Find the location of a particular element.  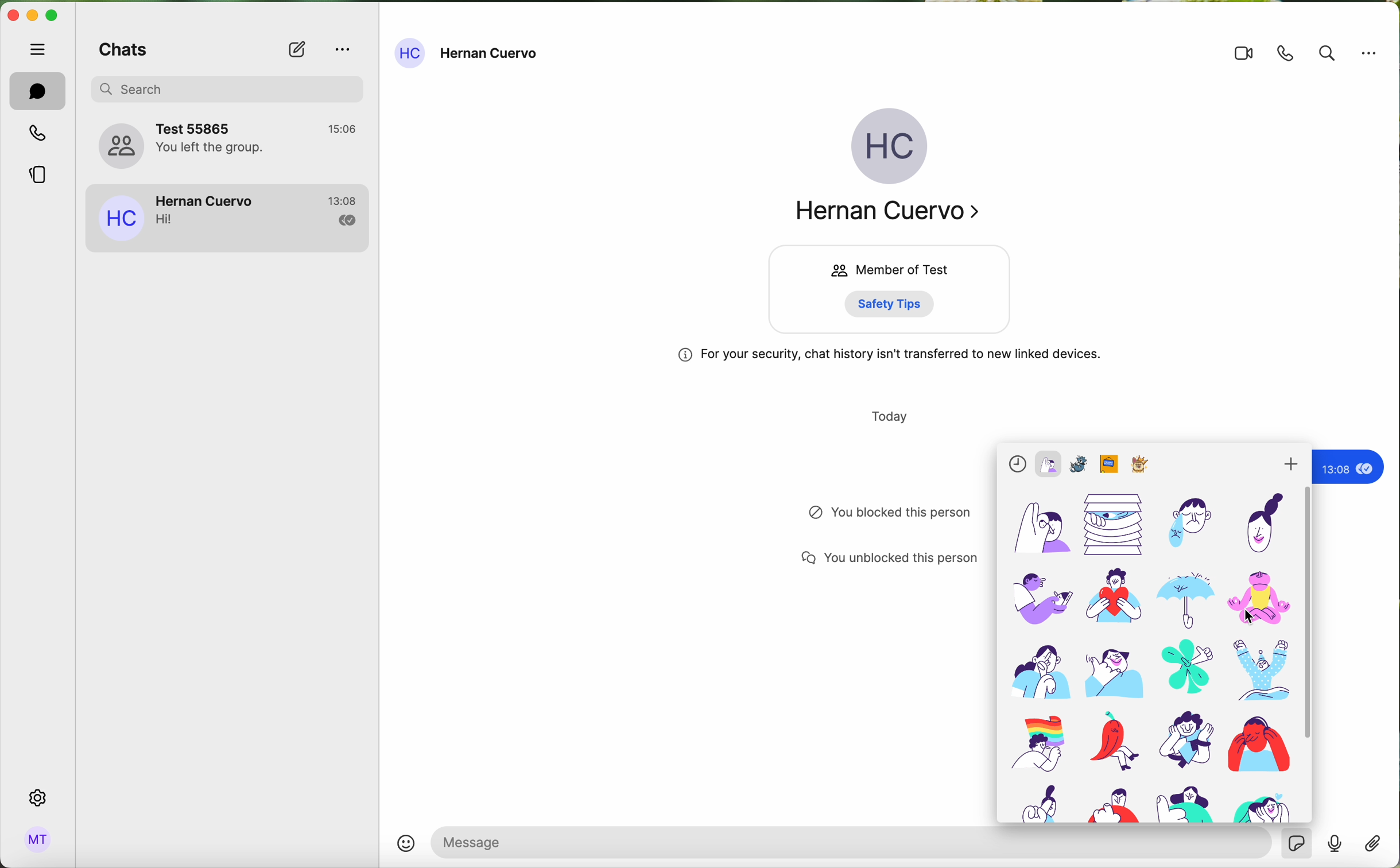

screen buttons is located at coordinates (35, 17).